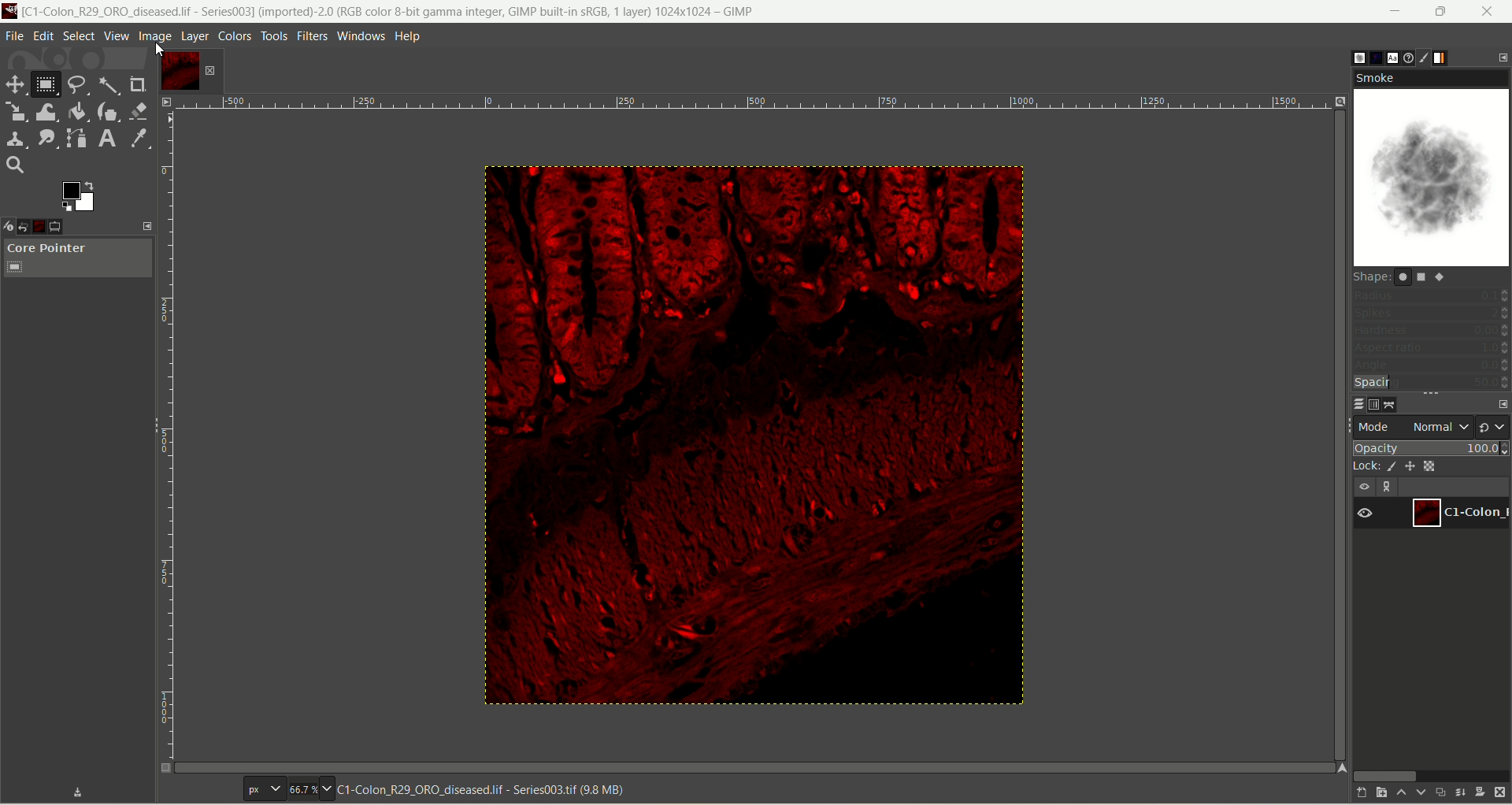 The width and height of the screenshot is (1512, 805). I want to click on title, so click(388, 12).